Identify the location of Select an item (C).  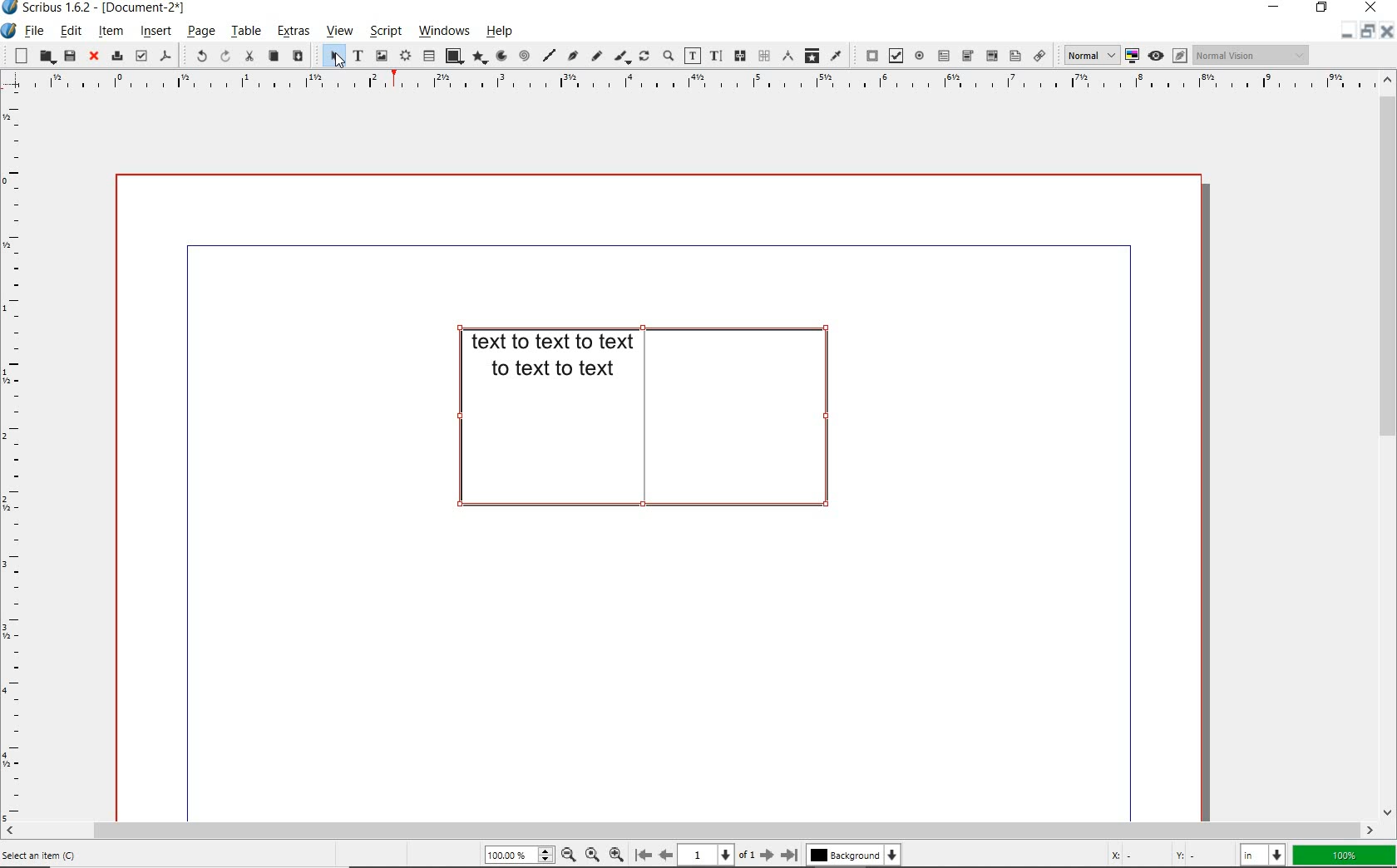
(109, 856).